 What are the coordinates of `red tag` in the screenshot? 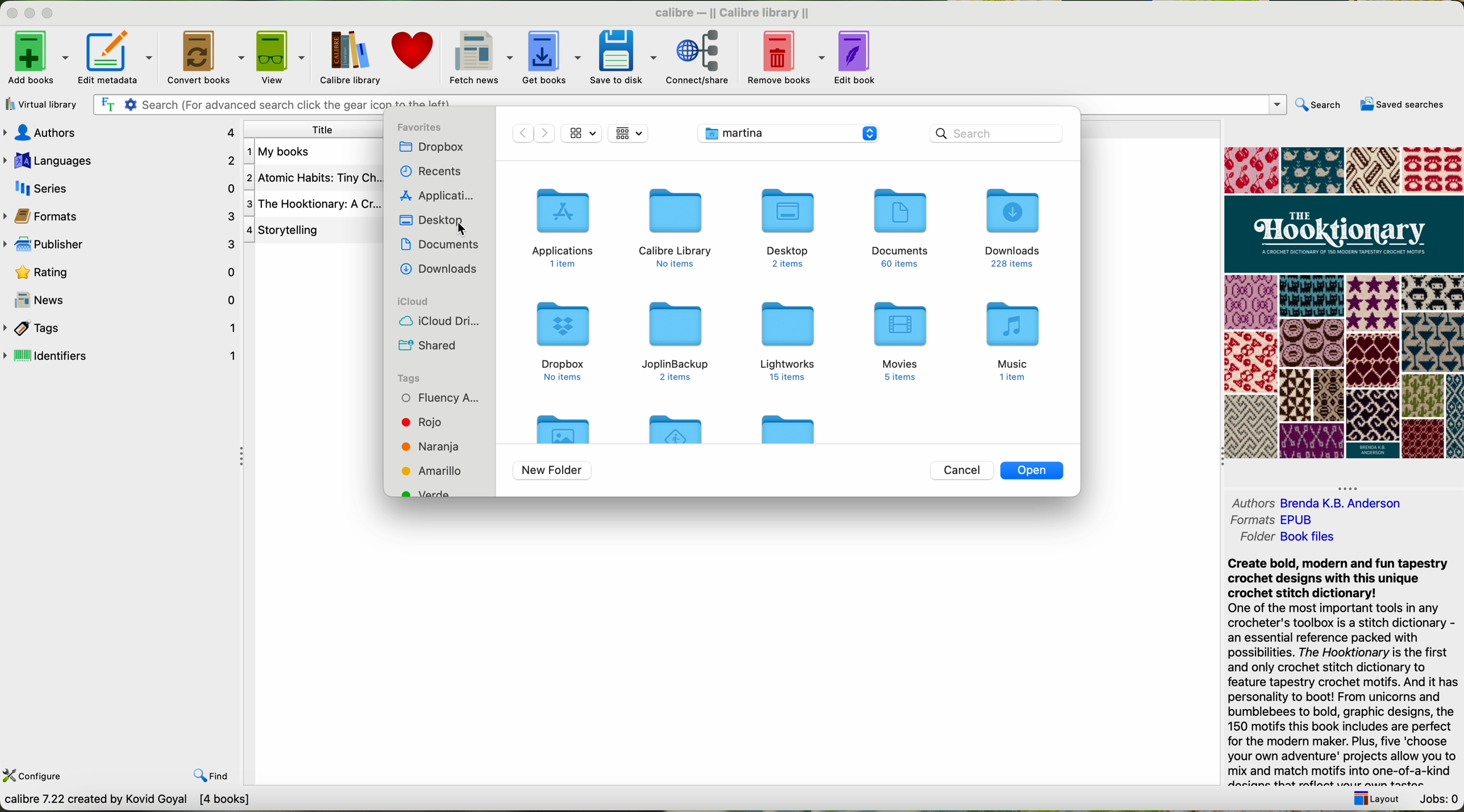 It's located at (422, 423).